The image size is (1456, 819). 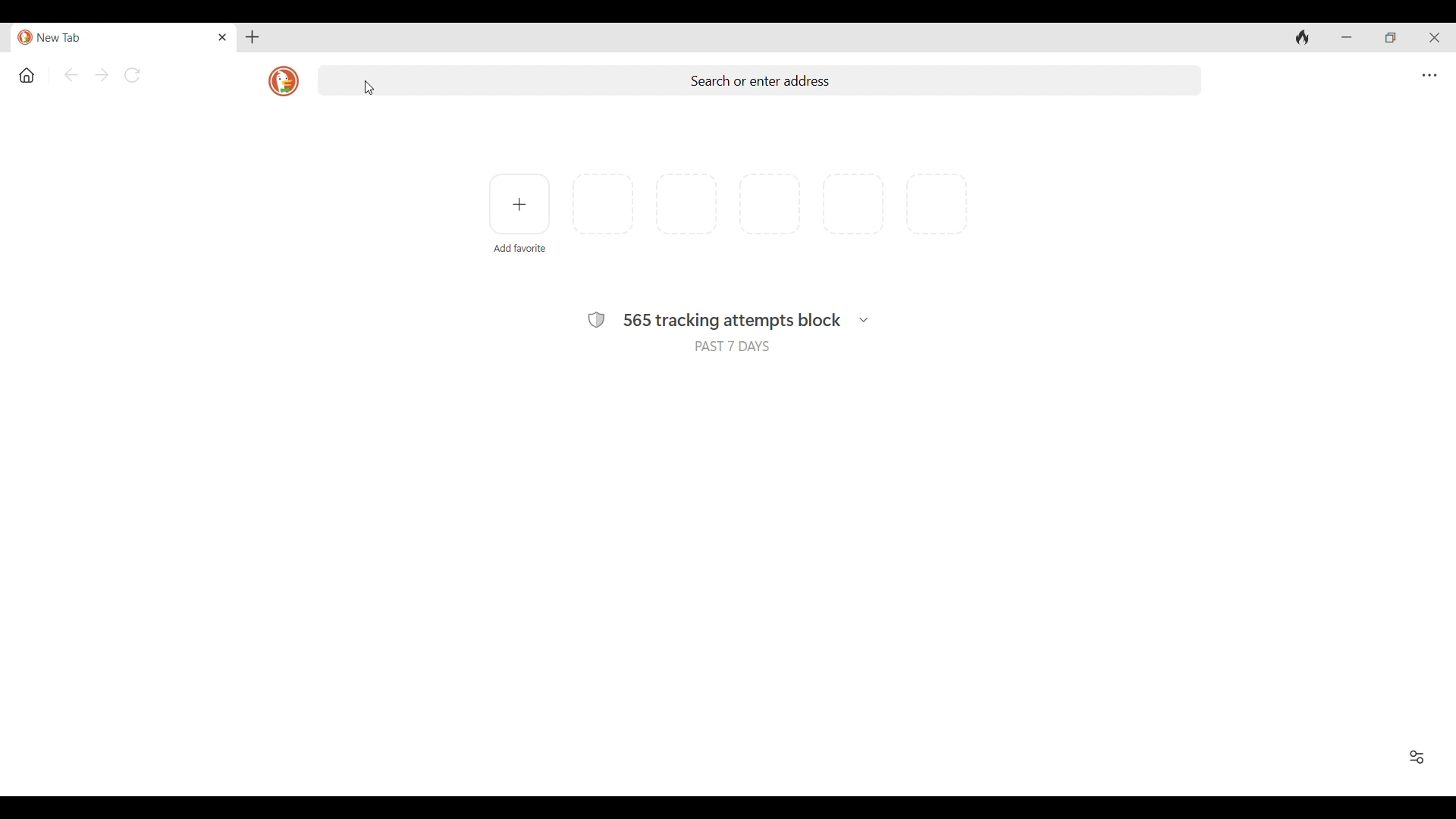 What do you see at coordinates (369, 88) in the screenshot?
I see `Cursor clicking on search box` at bounding box center [369, 88].